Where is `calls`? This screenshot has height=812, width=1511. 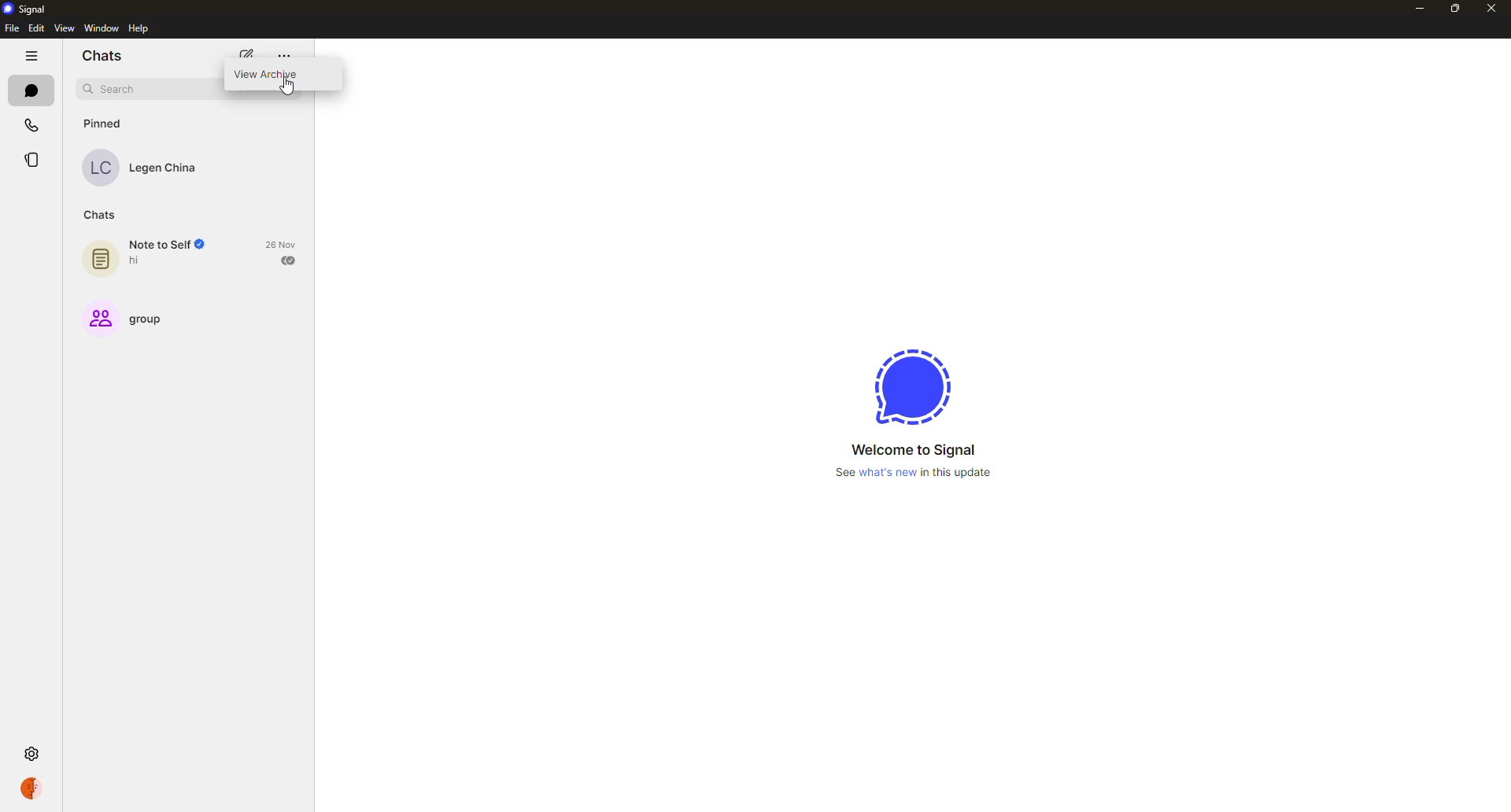
calls is located at coordinates (33, 124).